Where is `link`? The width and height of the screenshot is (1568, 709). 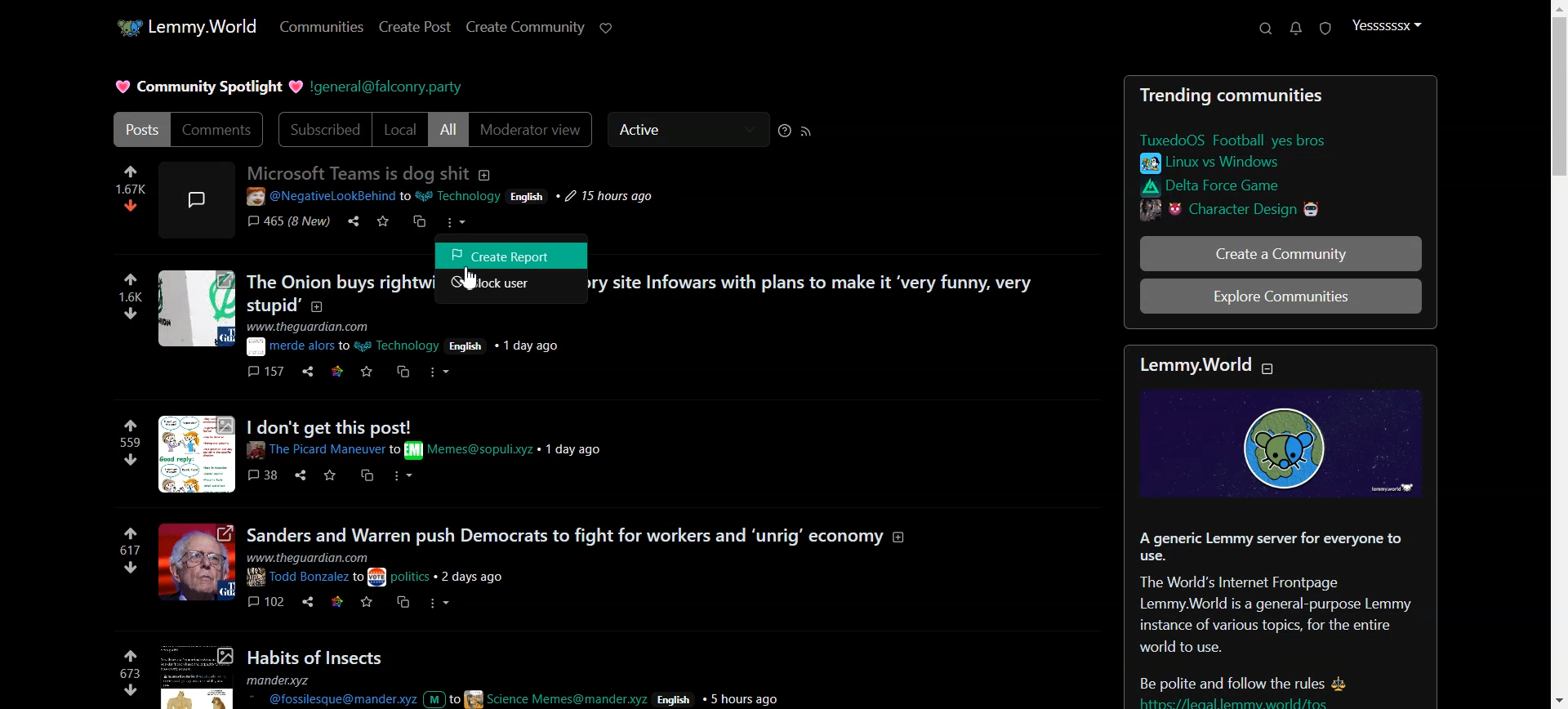
link is located at coordinates (338, 600).